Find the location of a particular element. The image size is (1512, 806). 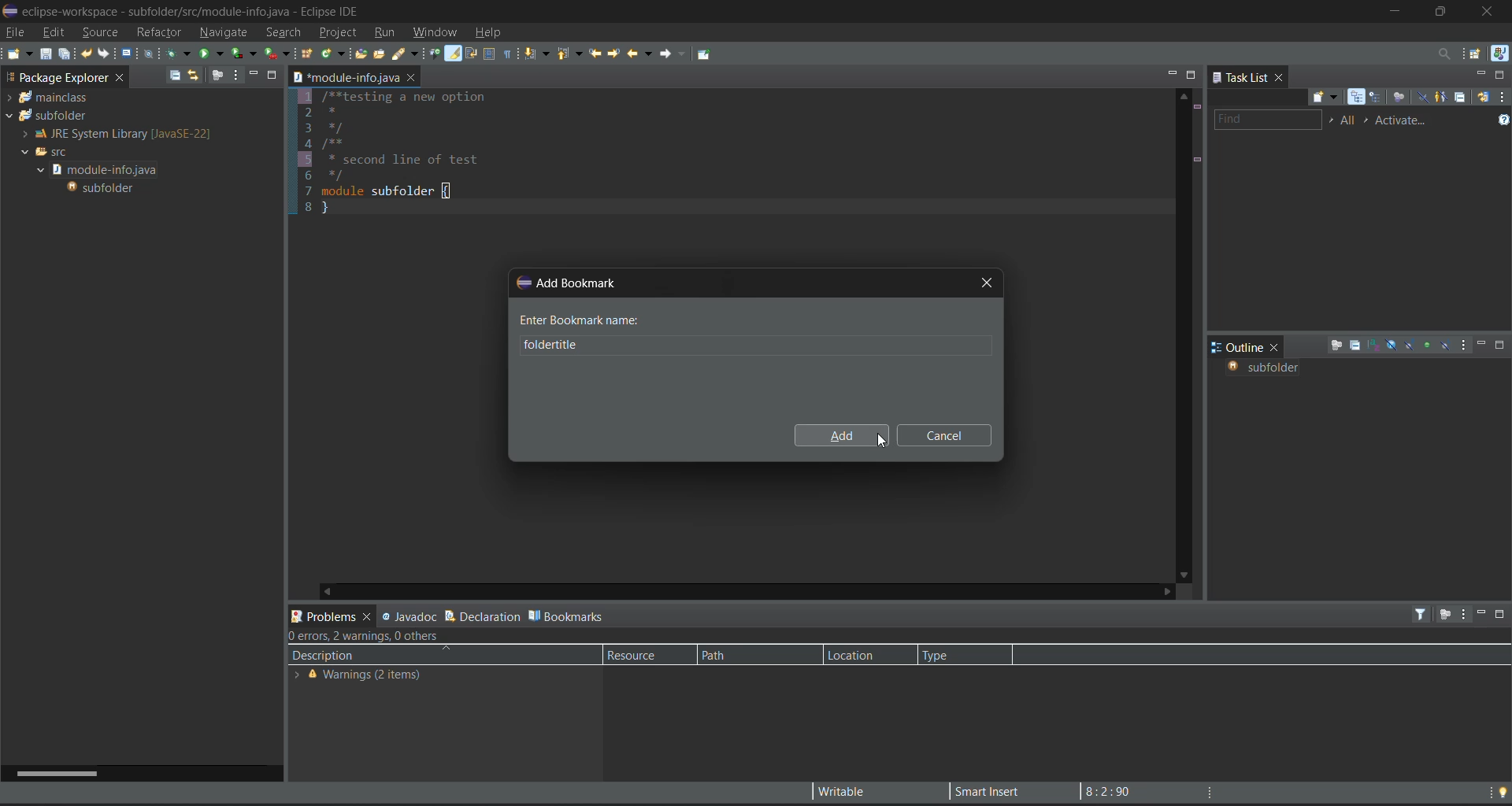

pin editor is located at coordinates (707, 54).